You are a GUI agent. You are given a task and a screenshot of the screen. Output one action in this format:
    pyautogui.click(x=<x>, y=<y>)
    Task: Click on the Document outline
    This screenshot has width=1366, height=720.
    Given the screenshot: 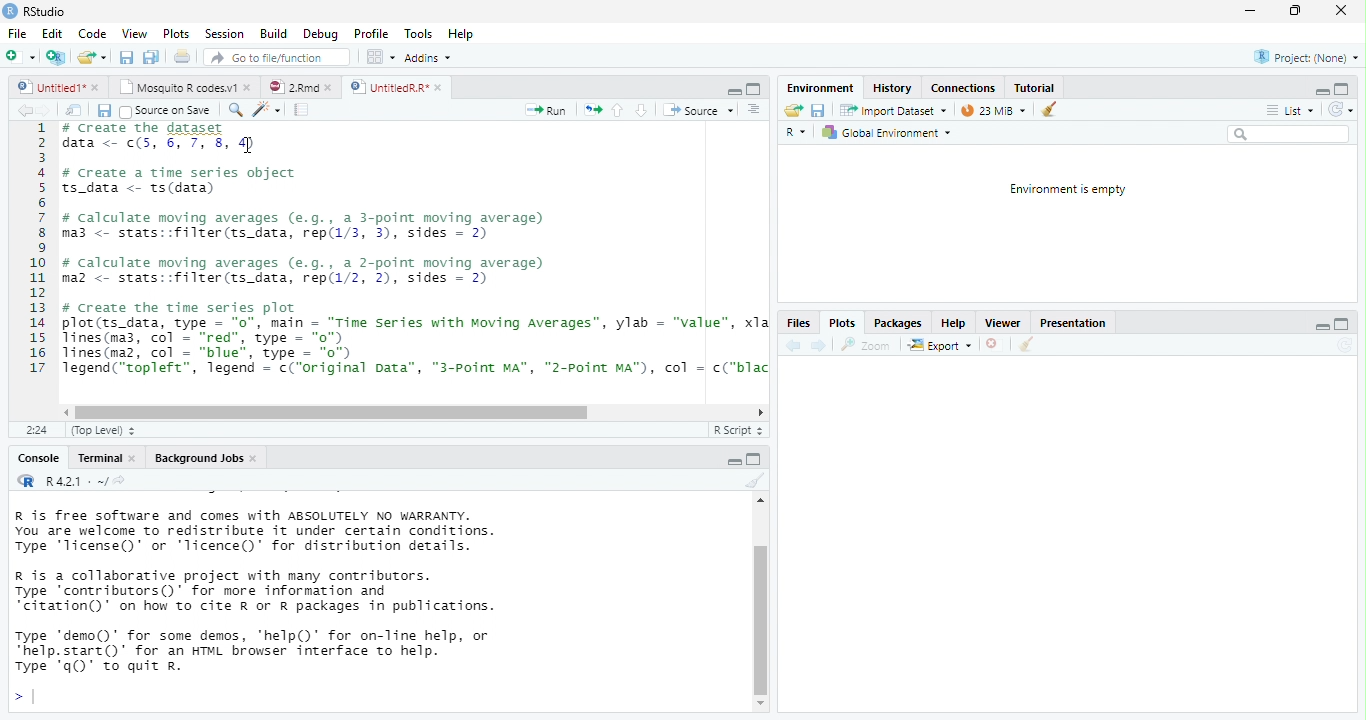 What is the action you would take?
    pyautogui.click(x=755, y=110)
    